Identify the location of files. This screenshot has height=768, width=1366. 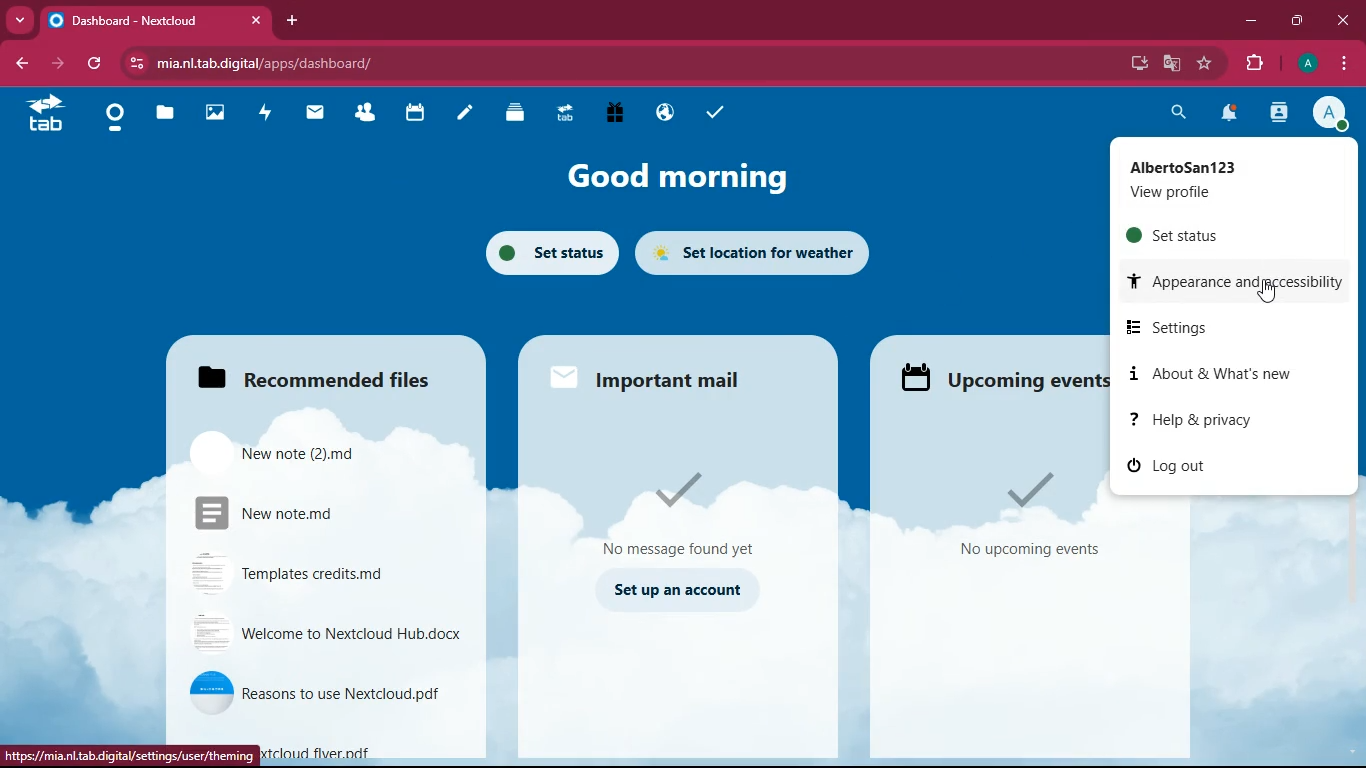
(306, 374).